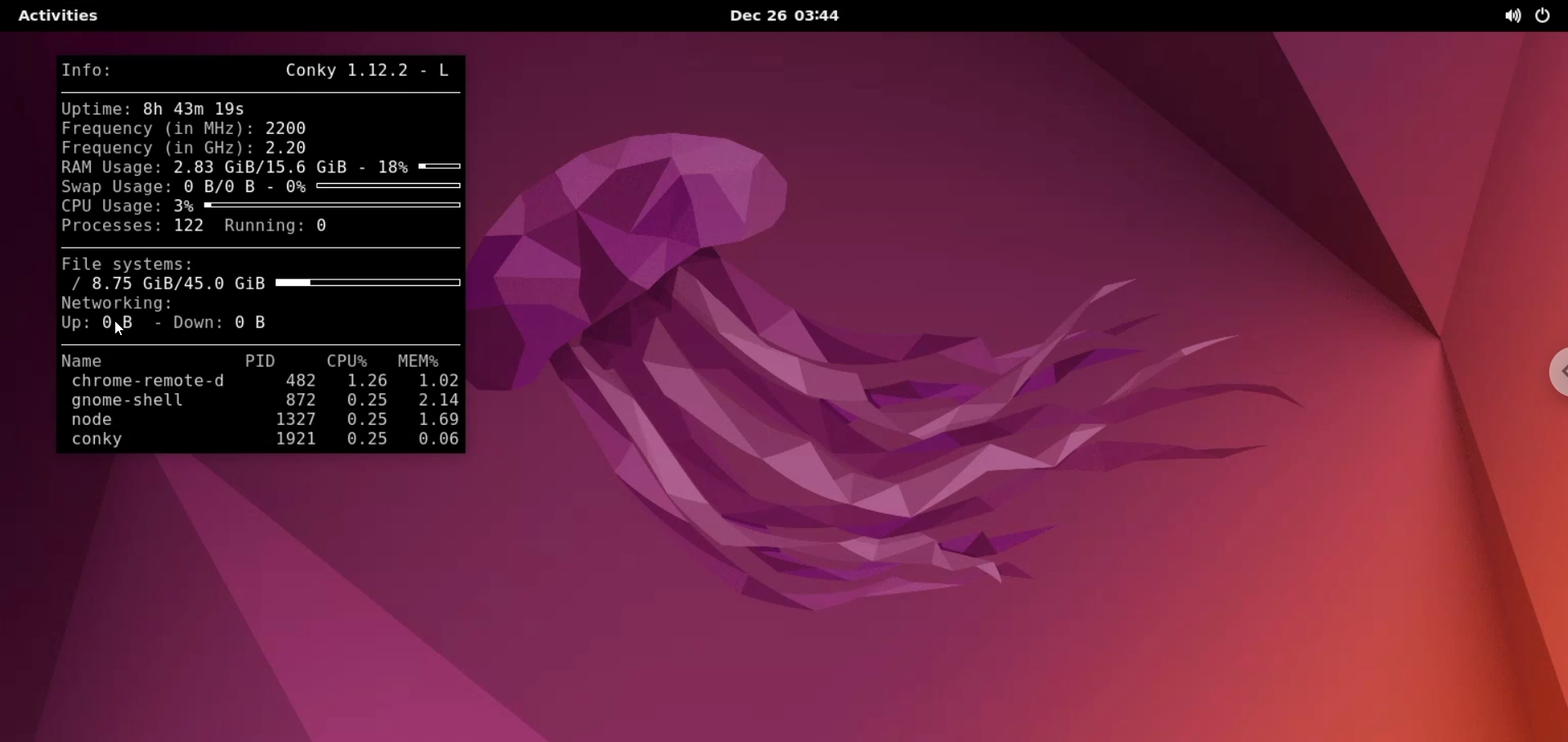 This screenshot has width=1568, height=742. Describe the element at coordinates (791, 16) in the screenshot. I see `Dec 26 03:44` at that location.